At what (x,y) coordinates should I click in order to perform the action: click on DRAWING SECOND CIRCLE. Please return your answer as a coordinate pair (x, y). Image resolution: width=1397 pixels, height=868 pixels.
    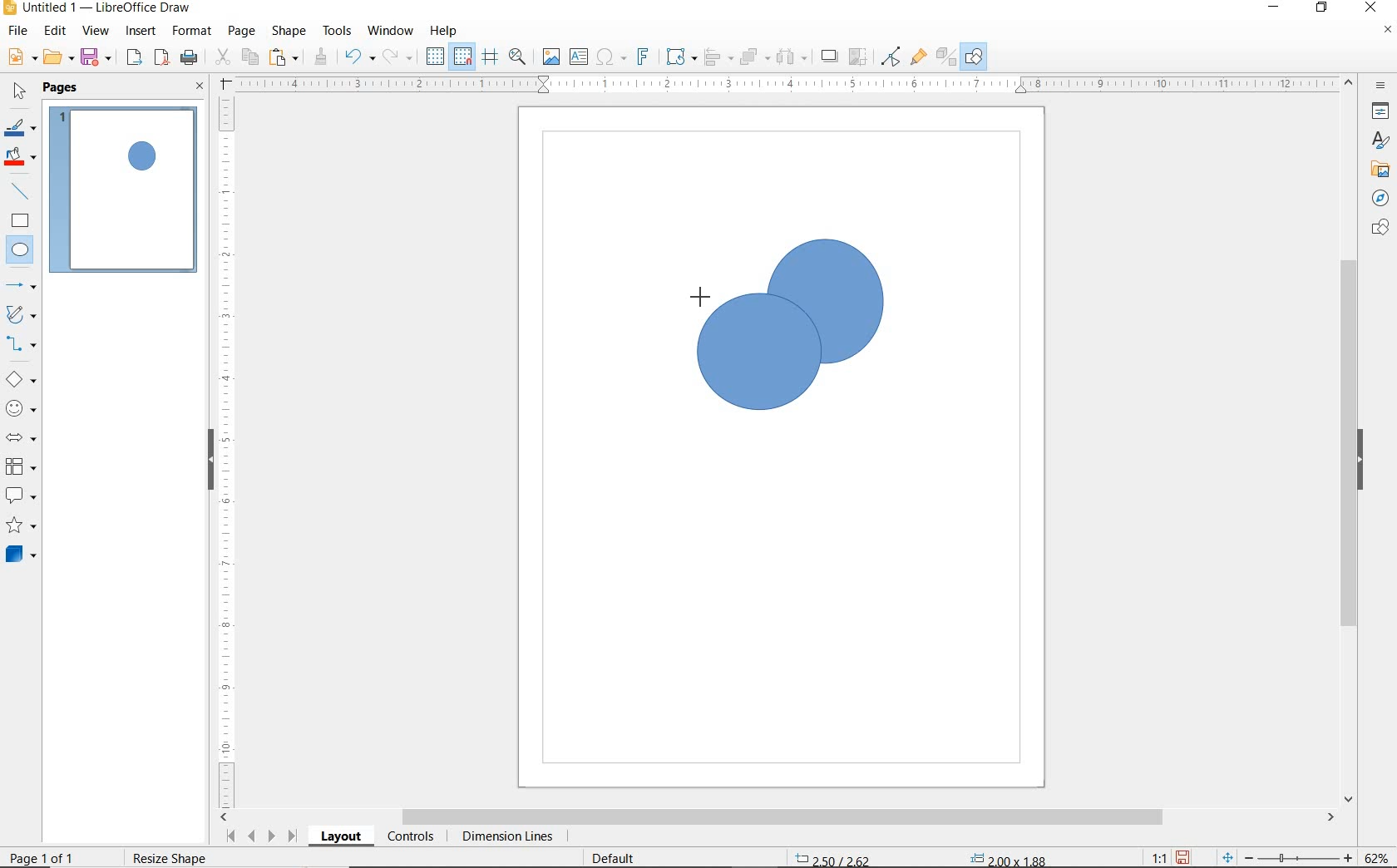
    Looking at the image, I should click on (758, 358).